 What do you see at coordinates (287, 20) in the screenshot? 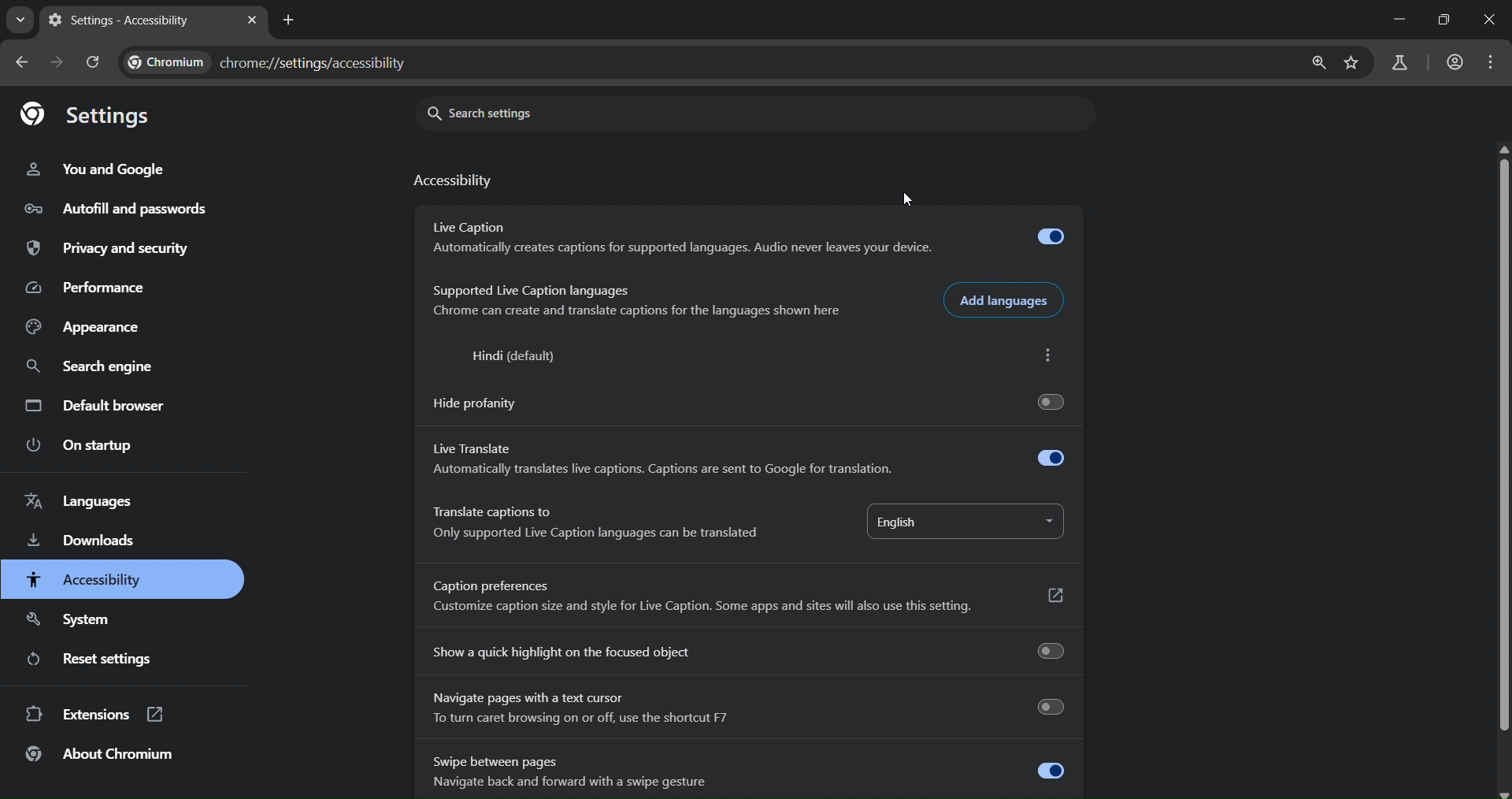
I see `new tab` at bounding box center [287, 20].